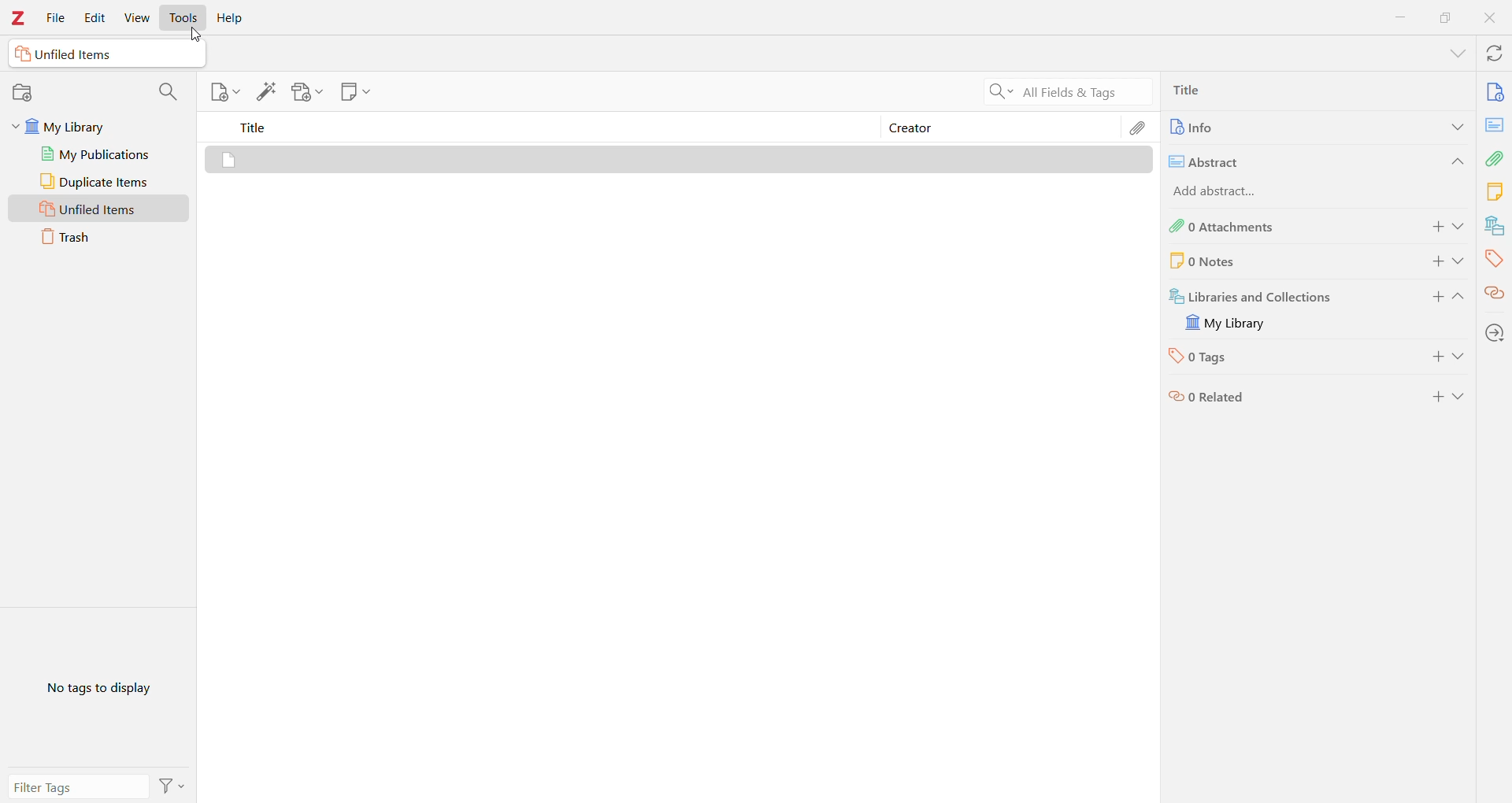 The image size is (1512, 803). Describe the element at coordinates (108, 54) in the screenshot. I see `Unfiled Items` at that location.